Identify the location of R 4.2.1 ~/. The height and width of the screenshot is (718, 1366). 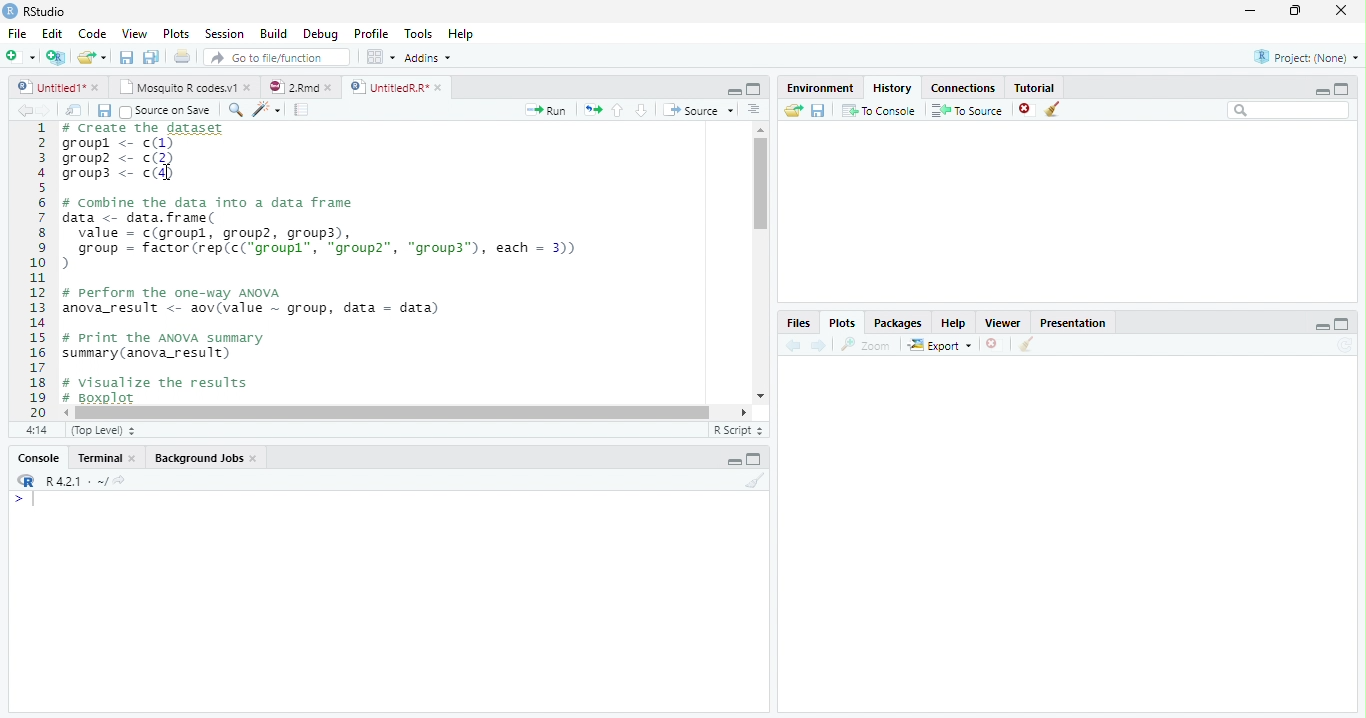
(77, 481).